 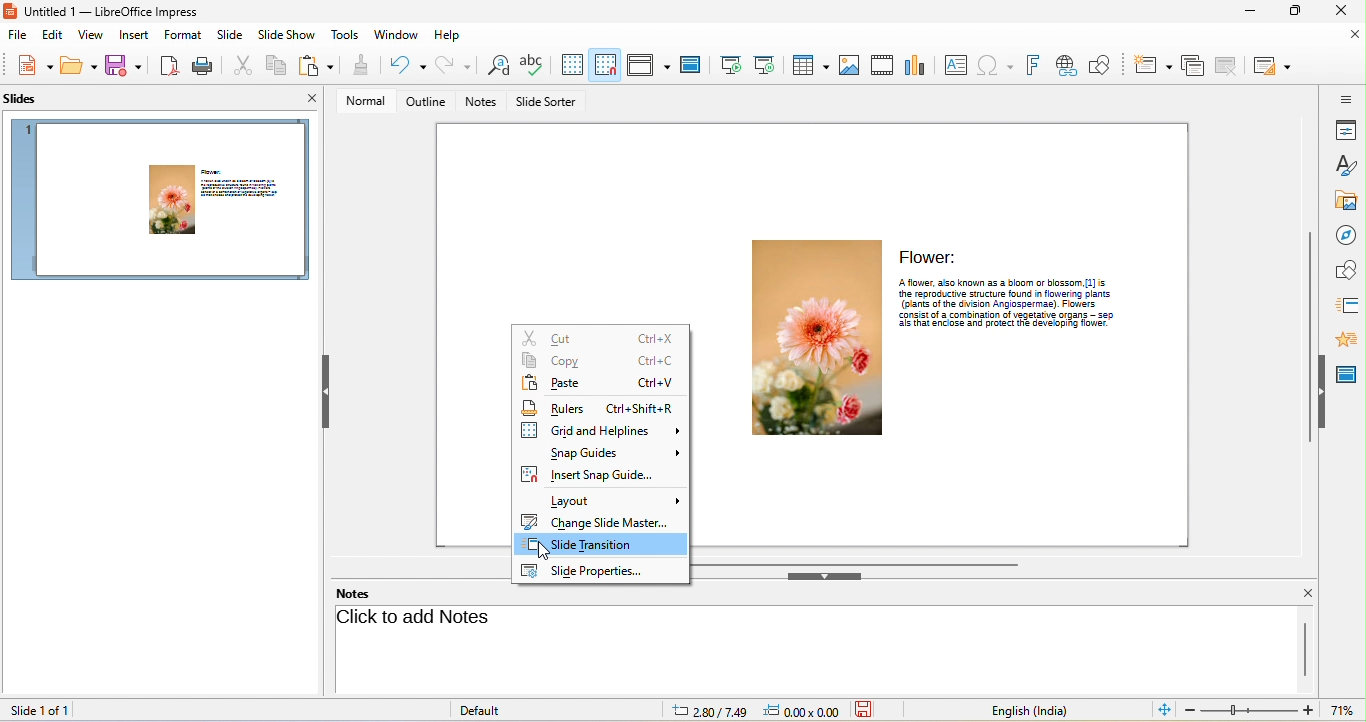 What do you see at coordinates (126, 68) in the screenshot?
I see `save` at bounding box center [126, 68].